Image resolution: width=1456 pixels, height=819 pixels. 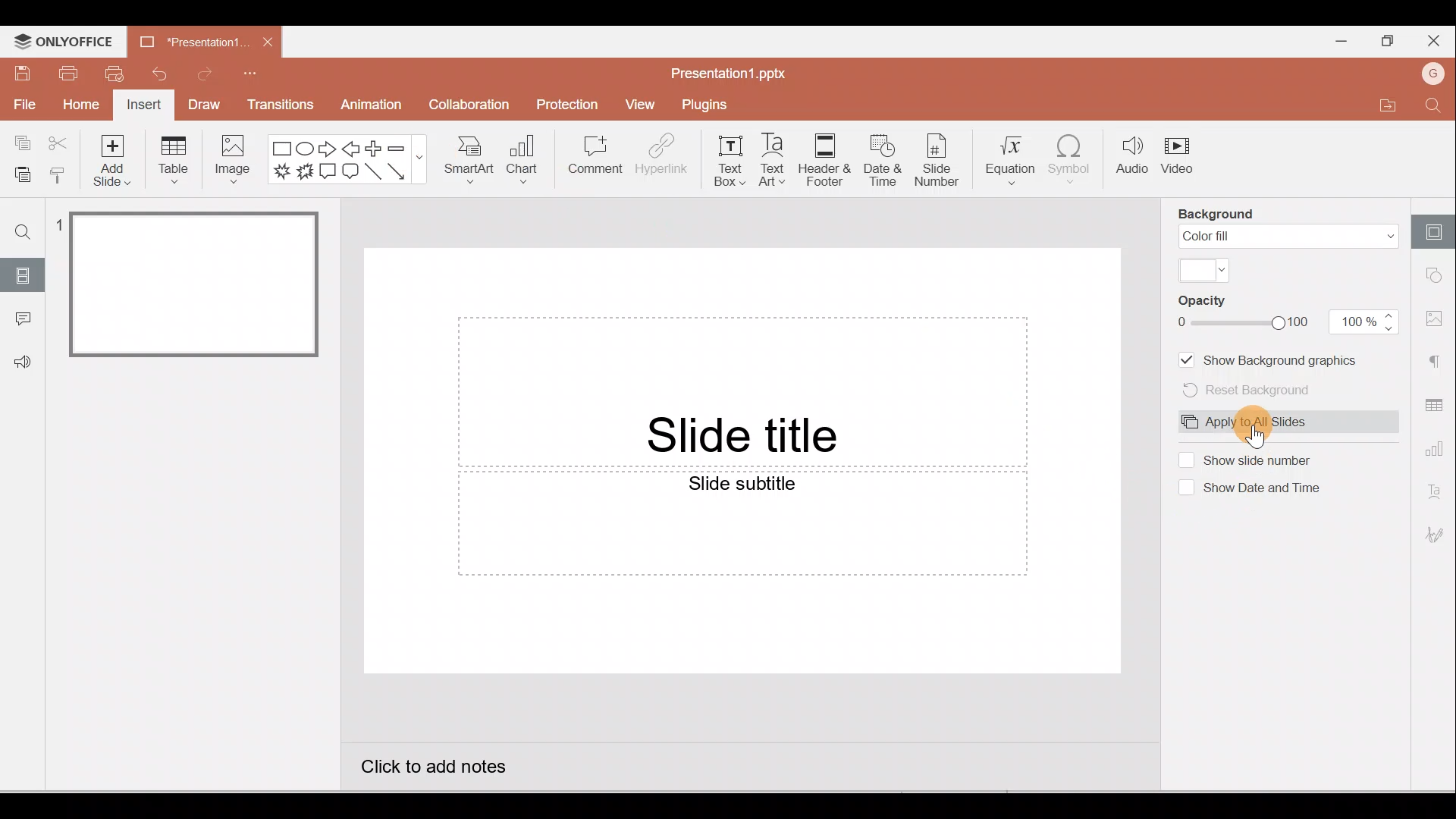 What do you see at coordinates (1435, 108) in the screenshot?
I see `Find` at bounding box center [1435, 108].